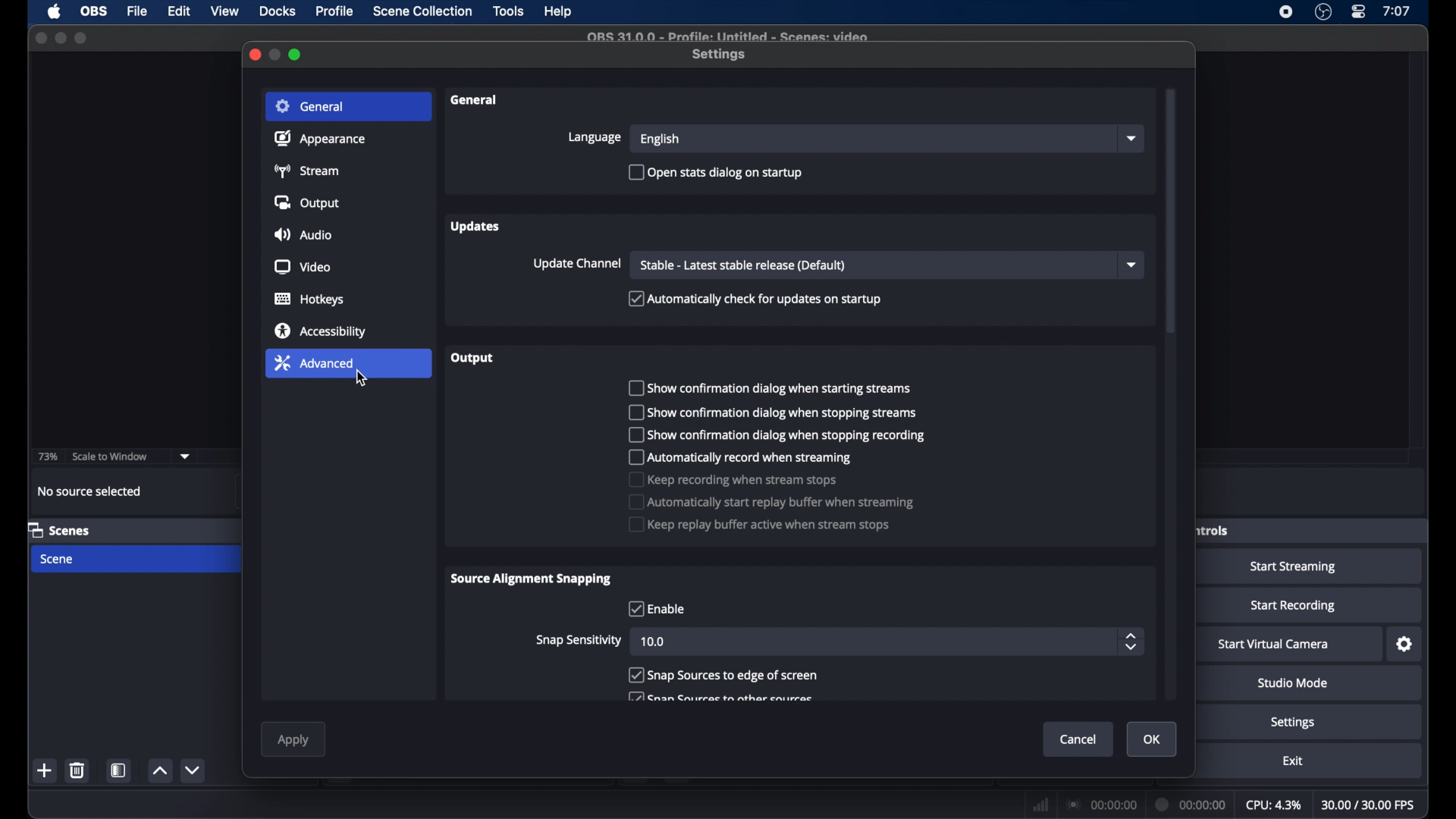 The width and height of the screenshot is (1456, 819). Describe the element at coordinates (45, 771) in the screenshot. I see `add` at that location.